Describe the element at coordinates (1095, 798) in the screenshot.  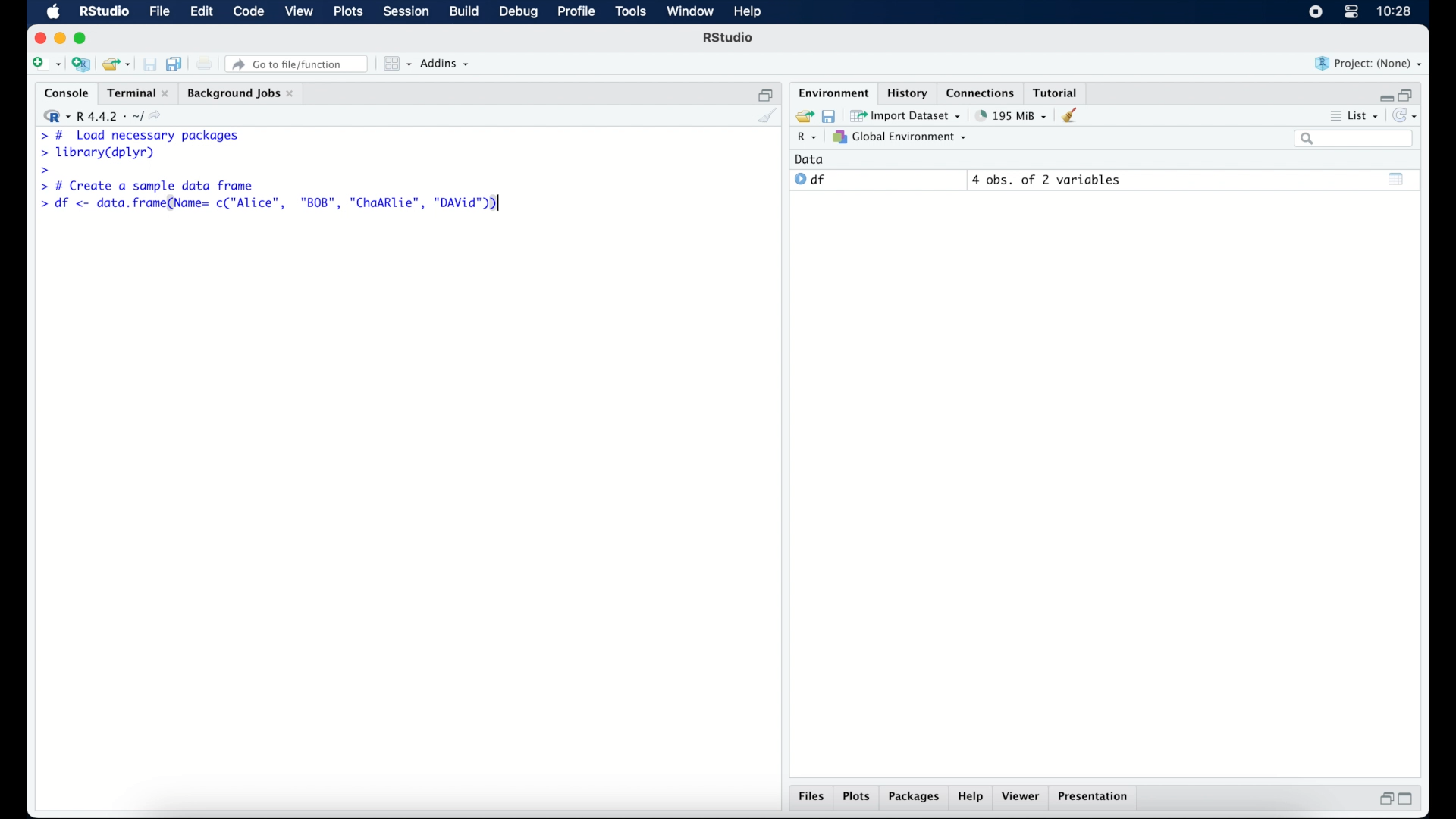
I see `presentation` at that location.